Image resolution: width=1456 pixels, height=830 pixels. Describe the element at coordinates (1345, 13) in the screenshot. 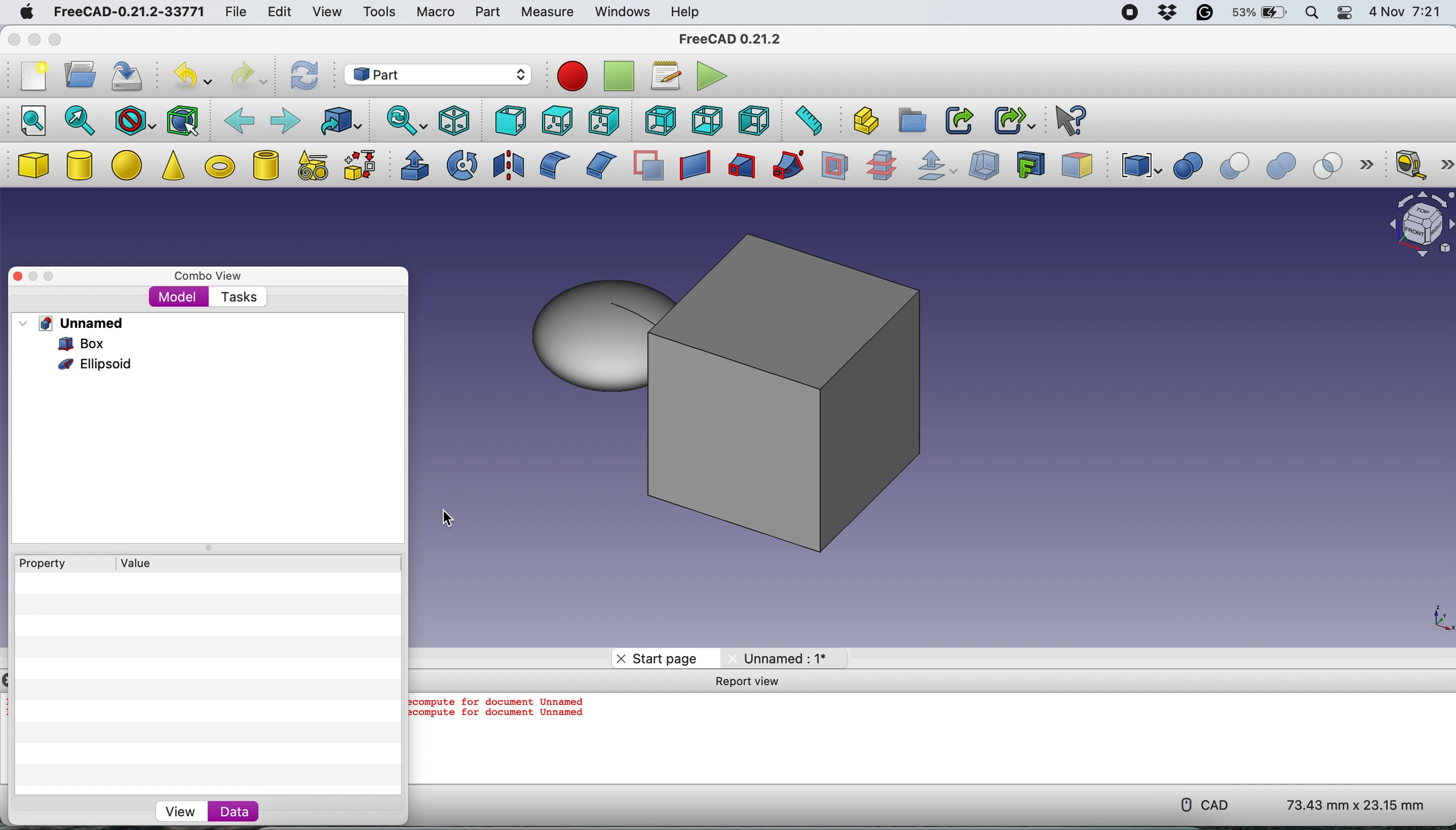

I see `control center` at that location.